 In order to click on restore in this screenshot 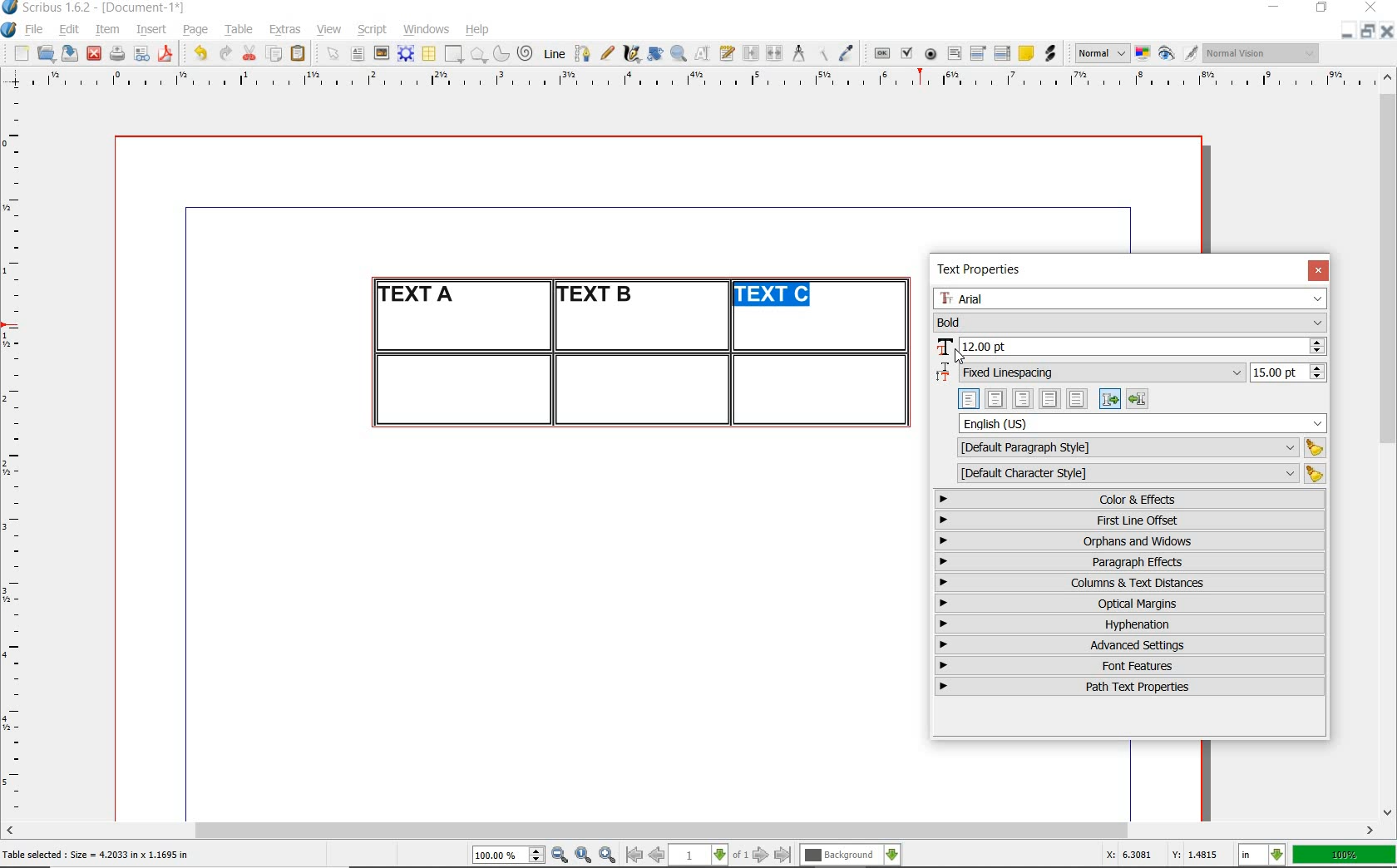, I will do `click(1322, 8)`.